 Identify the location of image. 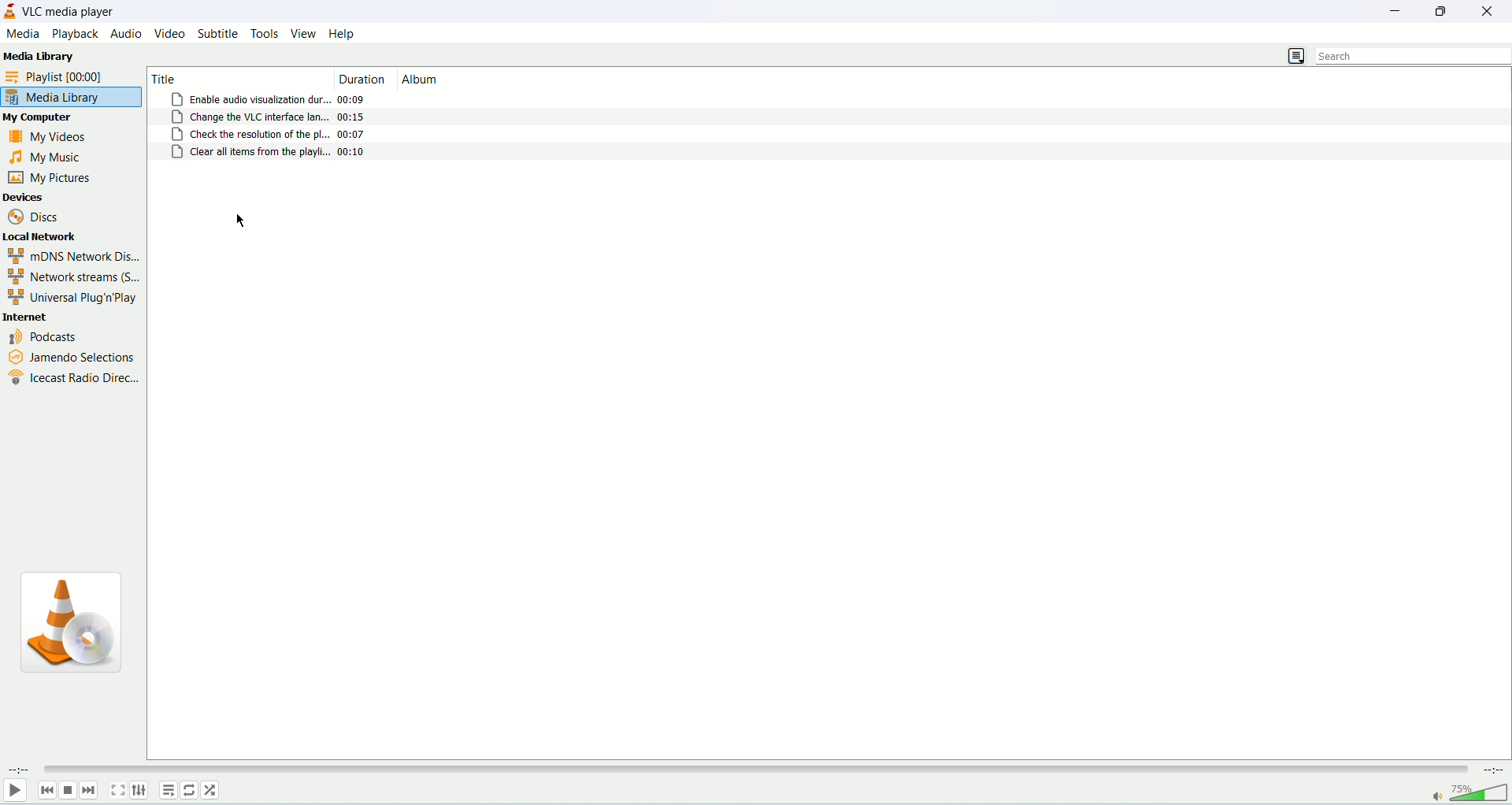
(73, 625).